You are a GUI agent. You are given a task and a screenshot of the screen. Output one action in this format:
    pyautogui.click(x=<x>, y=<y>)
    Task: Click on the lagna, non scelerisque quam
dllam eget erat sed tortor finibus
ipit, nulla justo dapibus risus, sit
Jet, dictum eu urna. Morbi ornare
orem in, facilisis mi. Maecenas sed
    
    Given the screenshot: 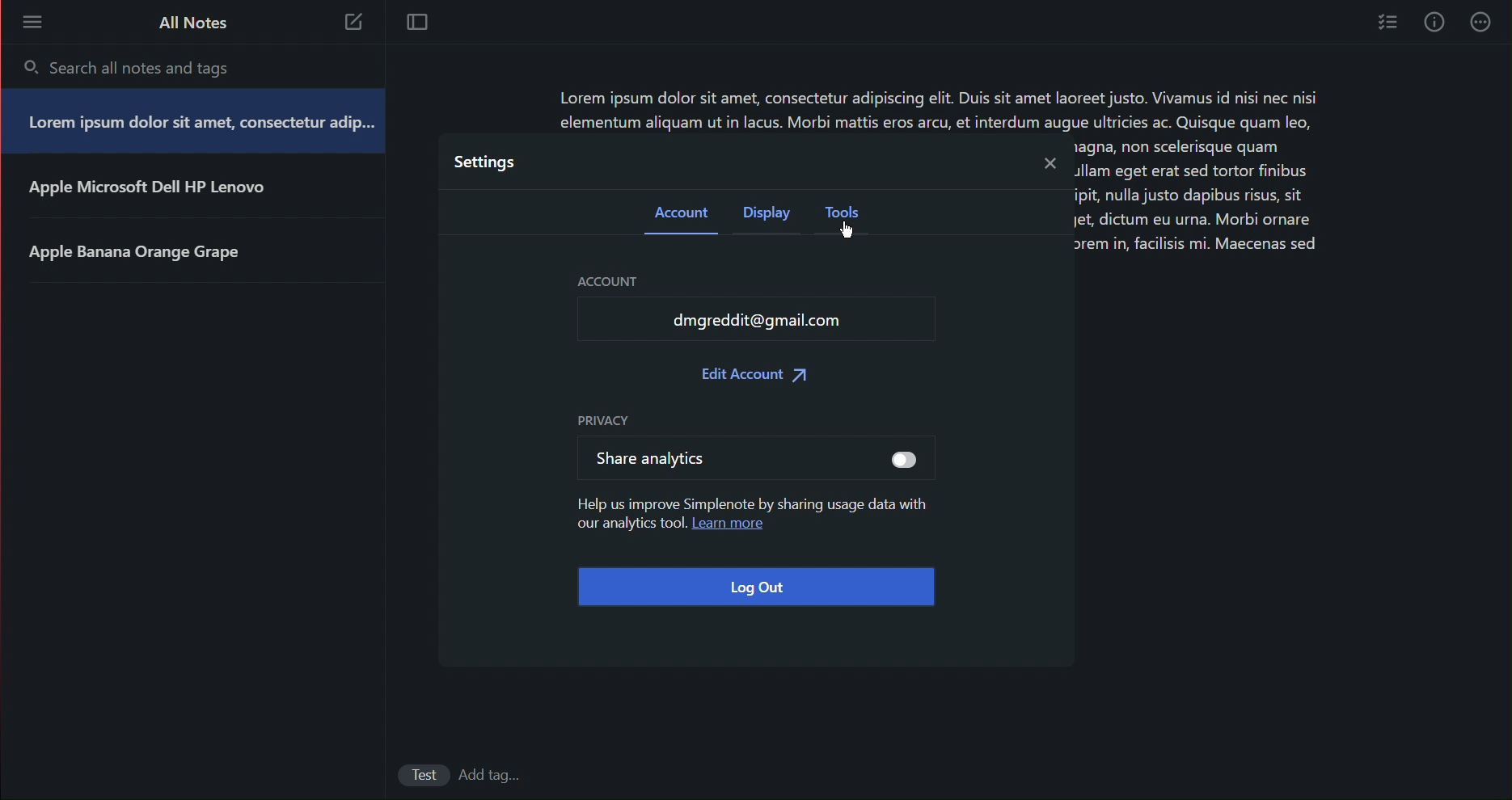 What is the action you would take?
    pyautogui.click(x=1199, y=204)
    